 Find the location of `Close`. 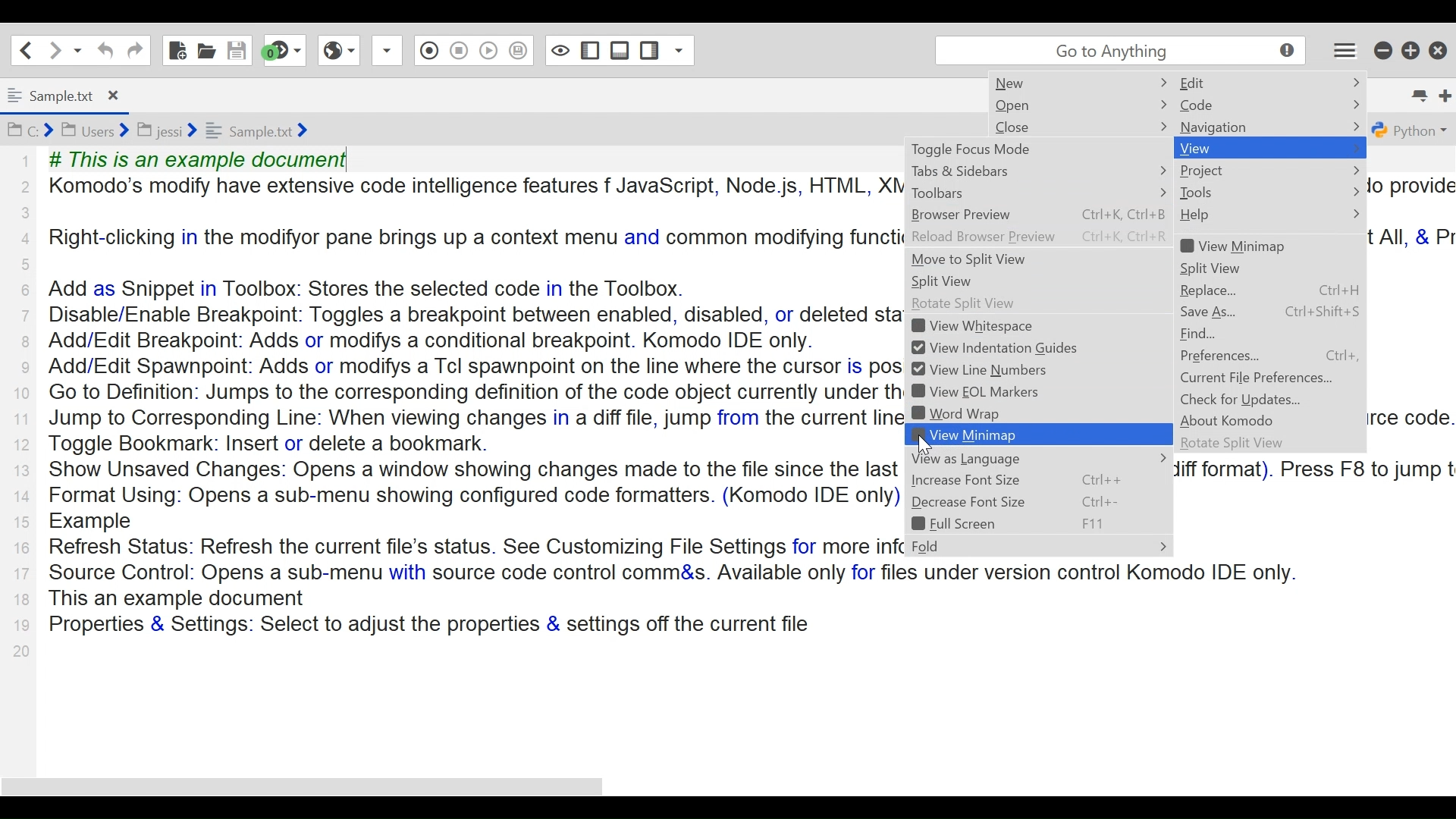

Close is located at coordinates (1028, 127).